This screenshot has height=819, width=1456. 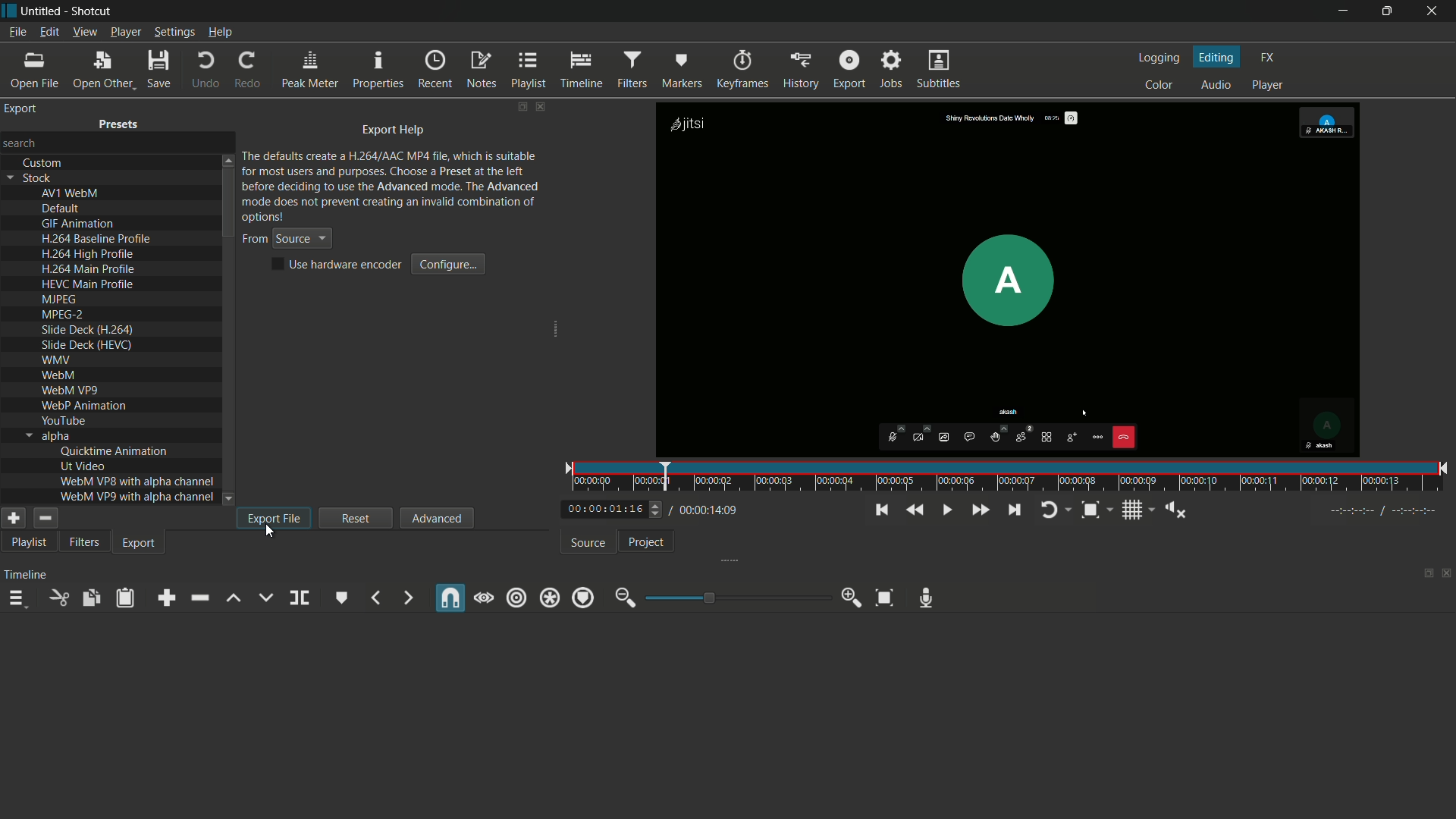 What do you see at coordinates (1447, 575) in the screenshot?
I see `close timeline` at bounding box center [1447, 575].